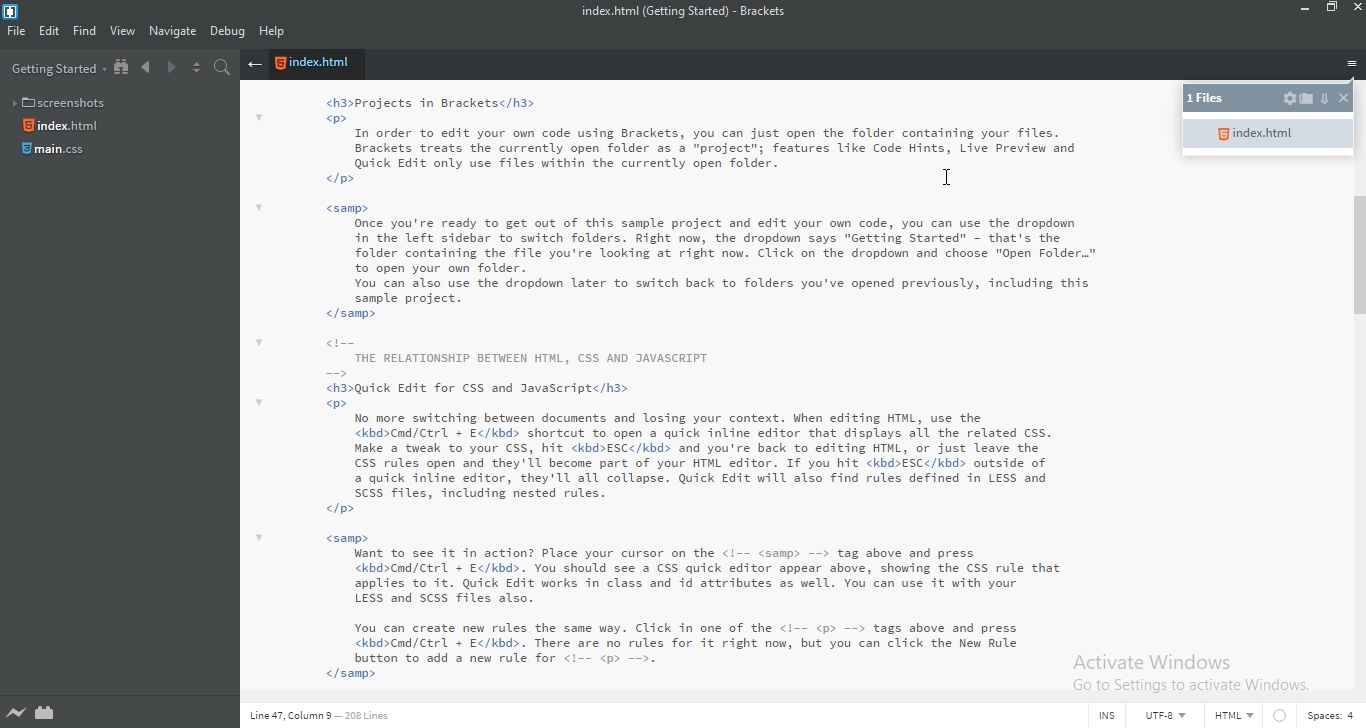 Image resolution: width=1366 pixels, height=728 pixels. What do you see at coordinates (172, 31) in the screenshot?
I see `Navigate` at bounding box center [172, 31].